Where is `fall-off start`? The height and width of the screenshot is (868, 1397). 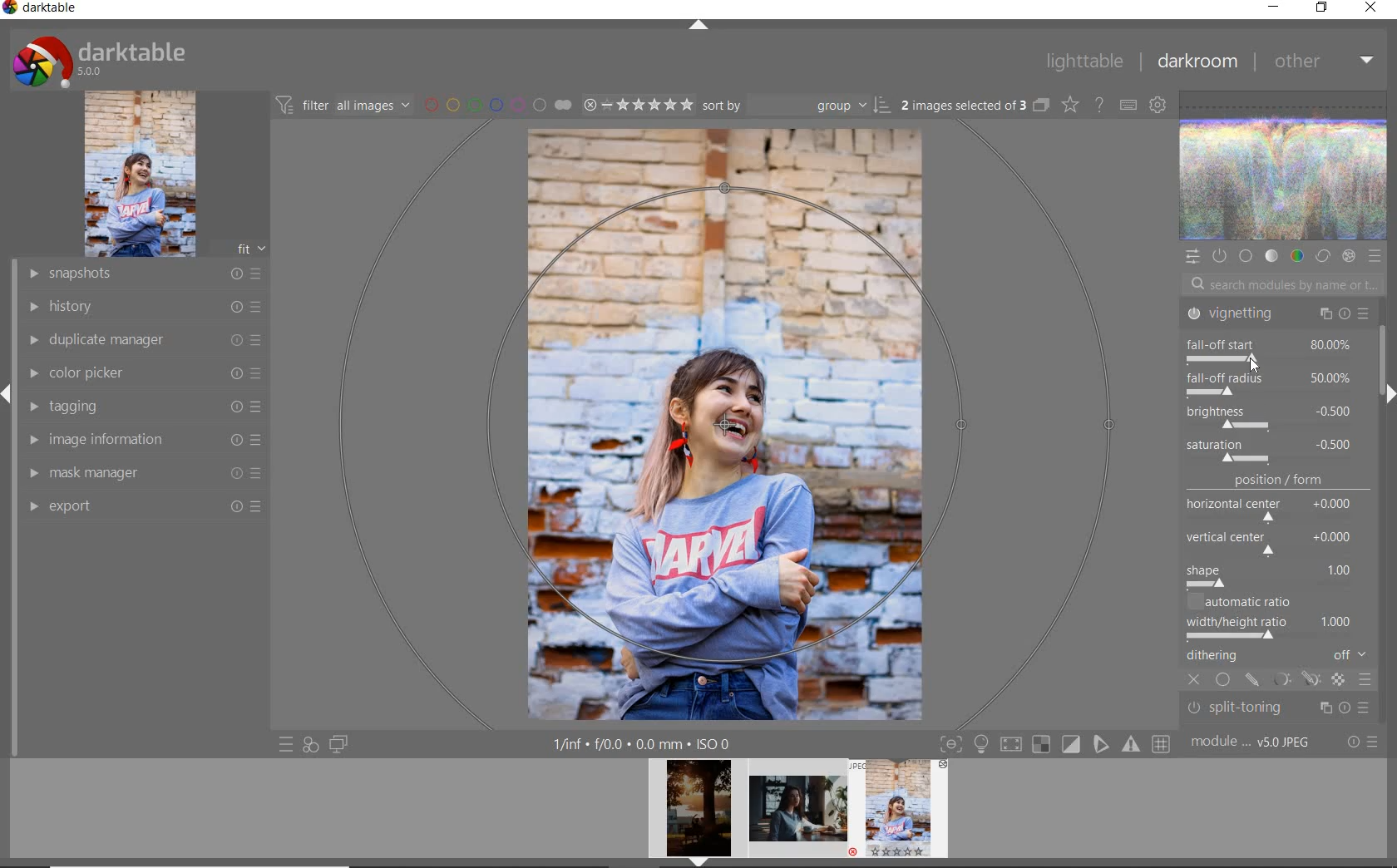 fall-off start is located at coordinates (1275, 348).